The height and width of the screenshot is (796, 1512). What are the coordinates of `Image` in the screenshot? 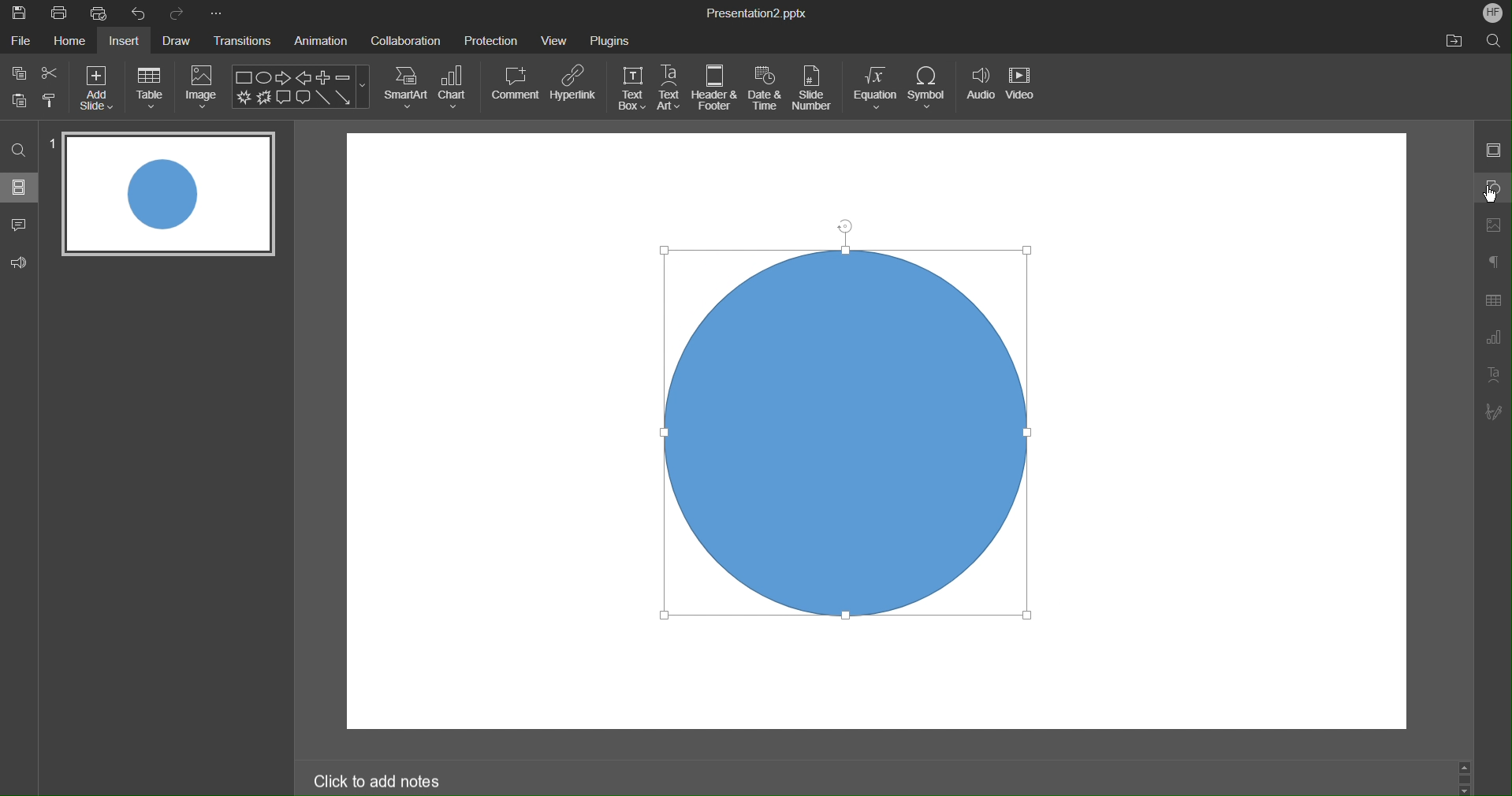 It's located at (203, 87).